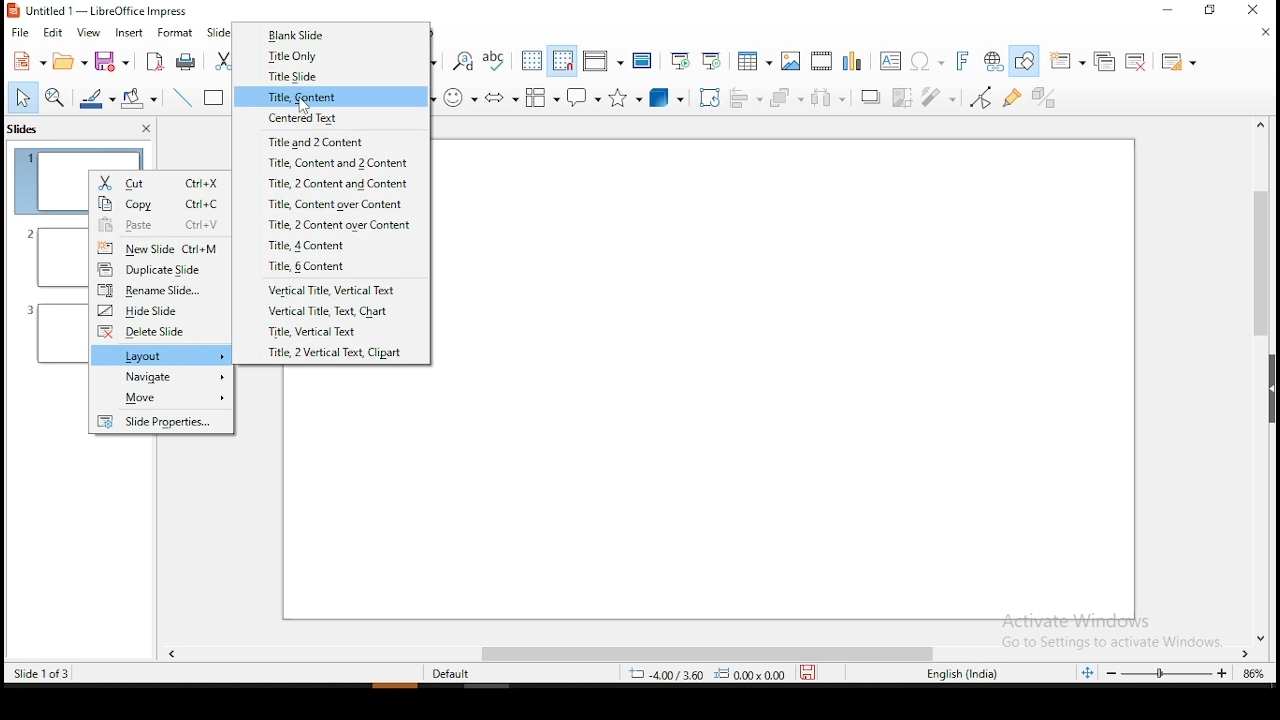 This screenshot has height=720, width=1280. What do you see at coordinates (309, 118) in the screenshot?
I see `centered text` at bounding box center [309, 118].